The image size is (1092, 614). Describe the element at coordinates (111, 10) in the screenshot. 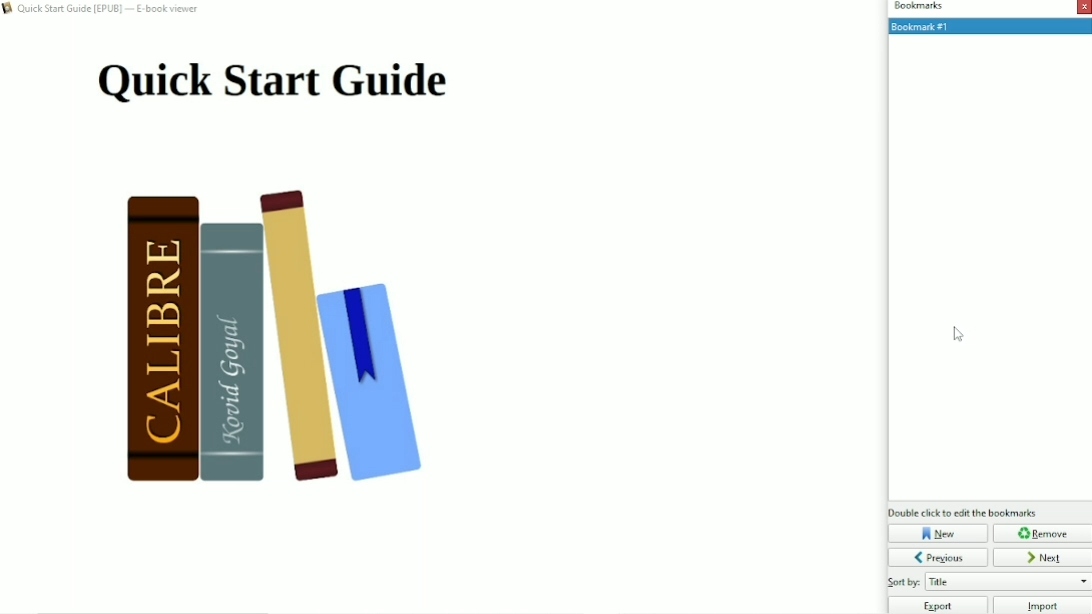

I see `Book name` at that location.